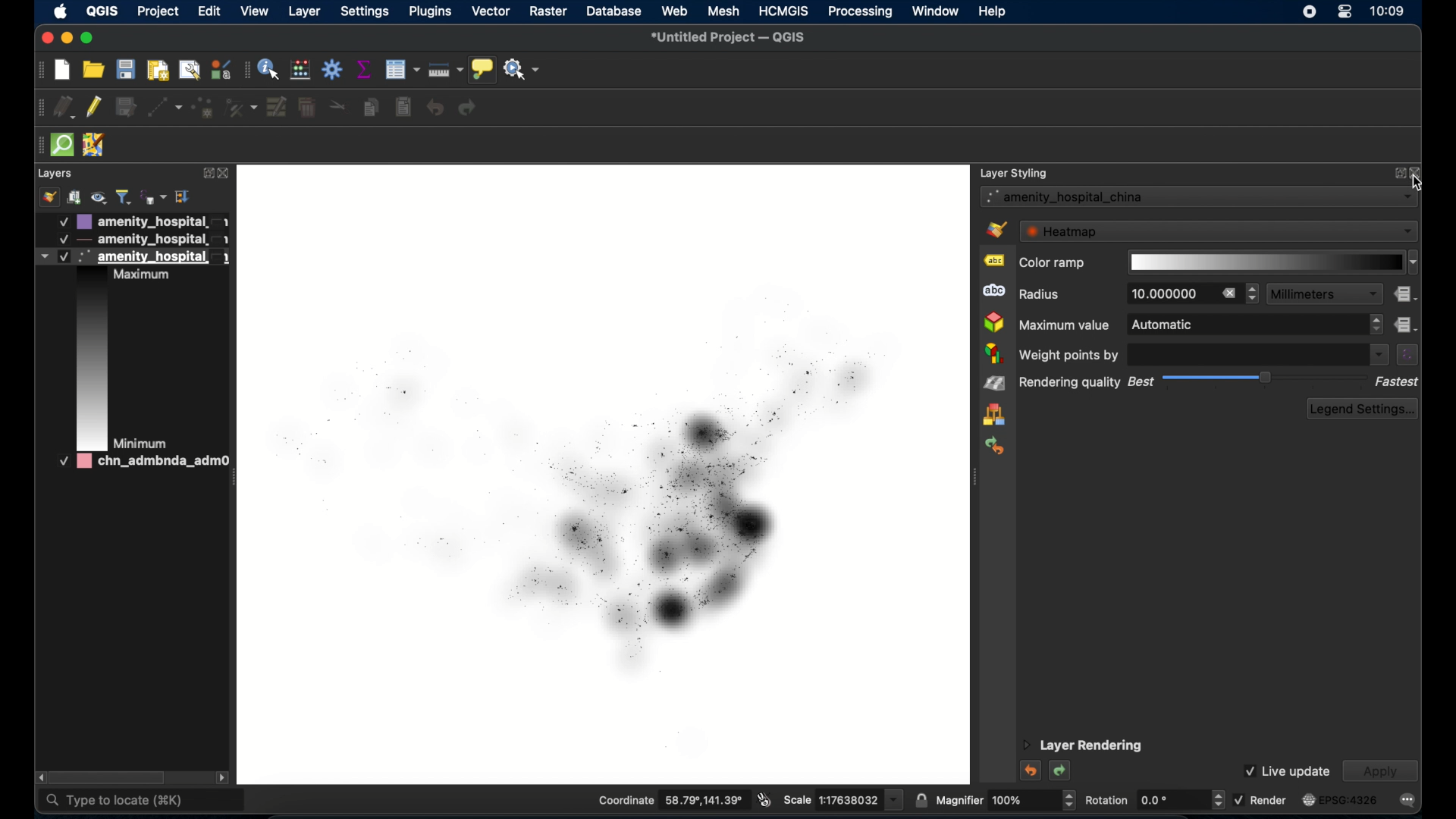 This screenshot has height=819, width=1456. I want to click on QGIS, so click(102, 11).